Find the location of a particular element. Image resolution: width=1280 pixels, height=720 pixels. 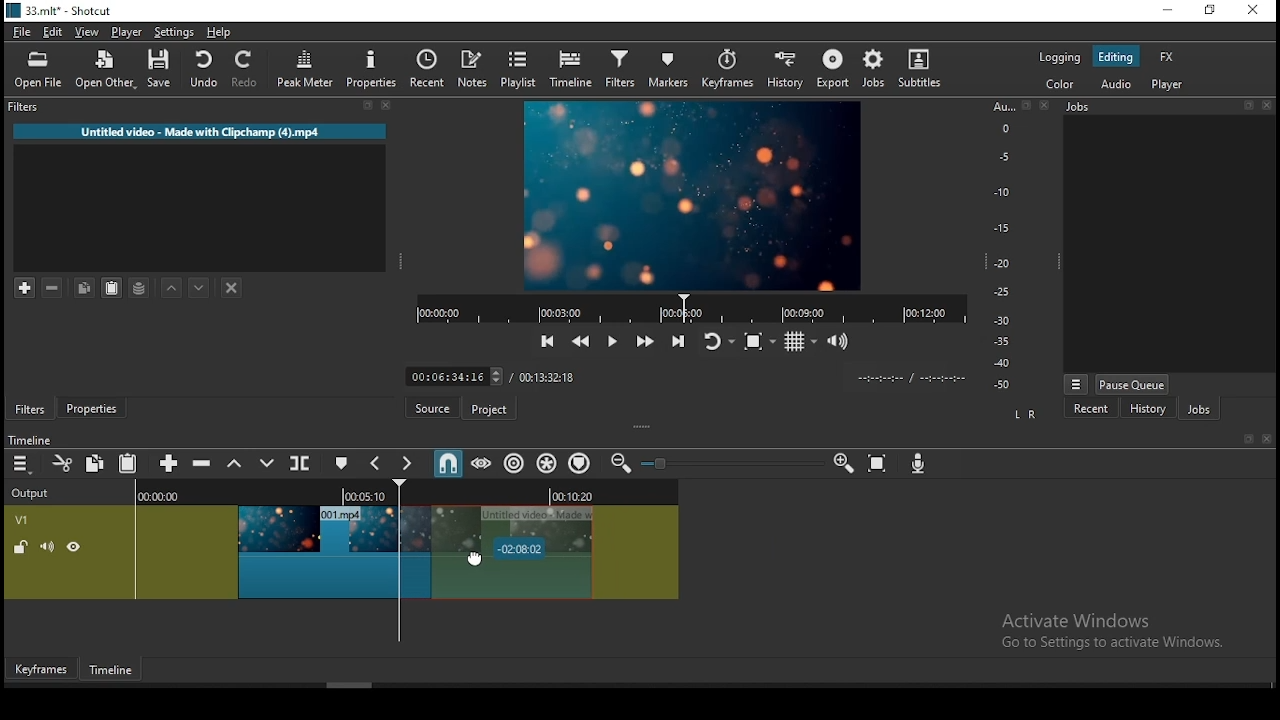

keyframes is located at coordinates (727, 70).